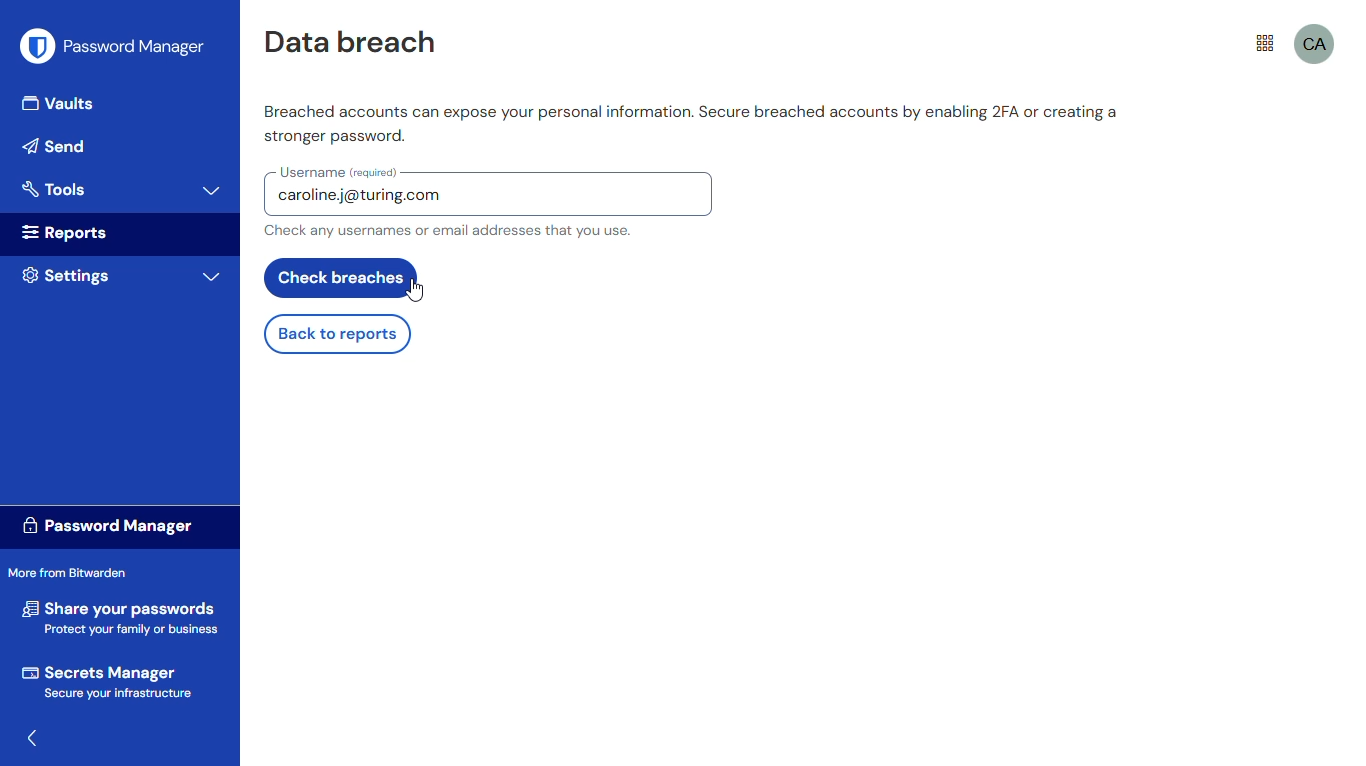  What do you see at coordinates (364, 198) in the screenshot?
I see `caroline.j@turing.com` at bounding box center [364, 198].